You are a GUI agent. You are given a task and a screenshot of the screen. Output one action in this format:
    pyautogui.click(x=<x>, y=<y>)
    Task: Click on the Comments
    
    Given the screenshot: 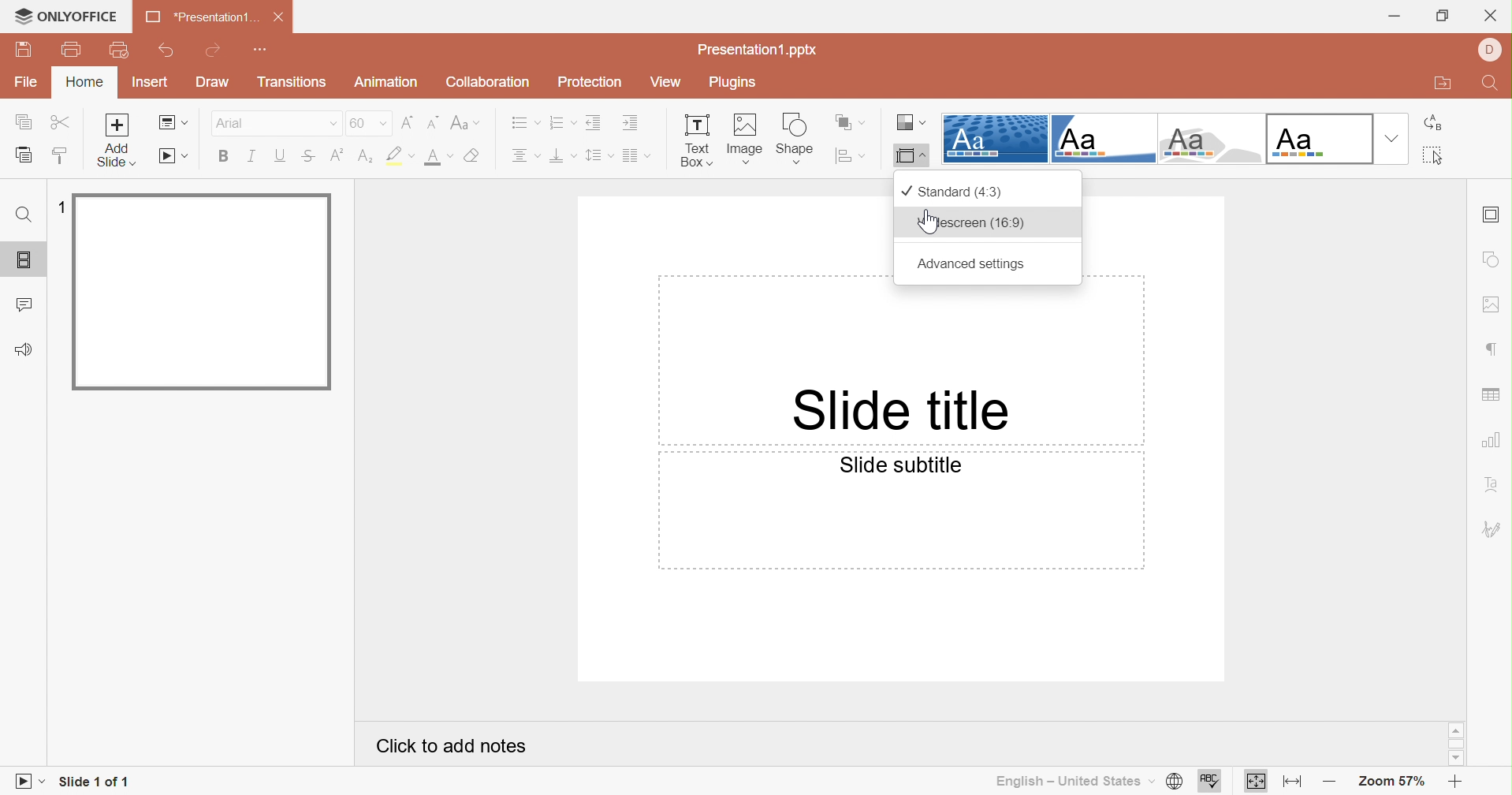 What is the action you would take?
    pyautogui.click(x=23, y=305)
    